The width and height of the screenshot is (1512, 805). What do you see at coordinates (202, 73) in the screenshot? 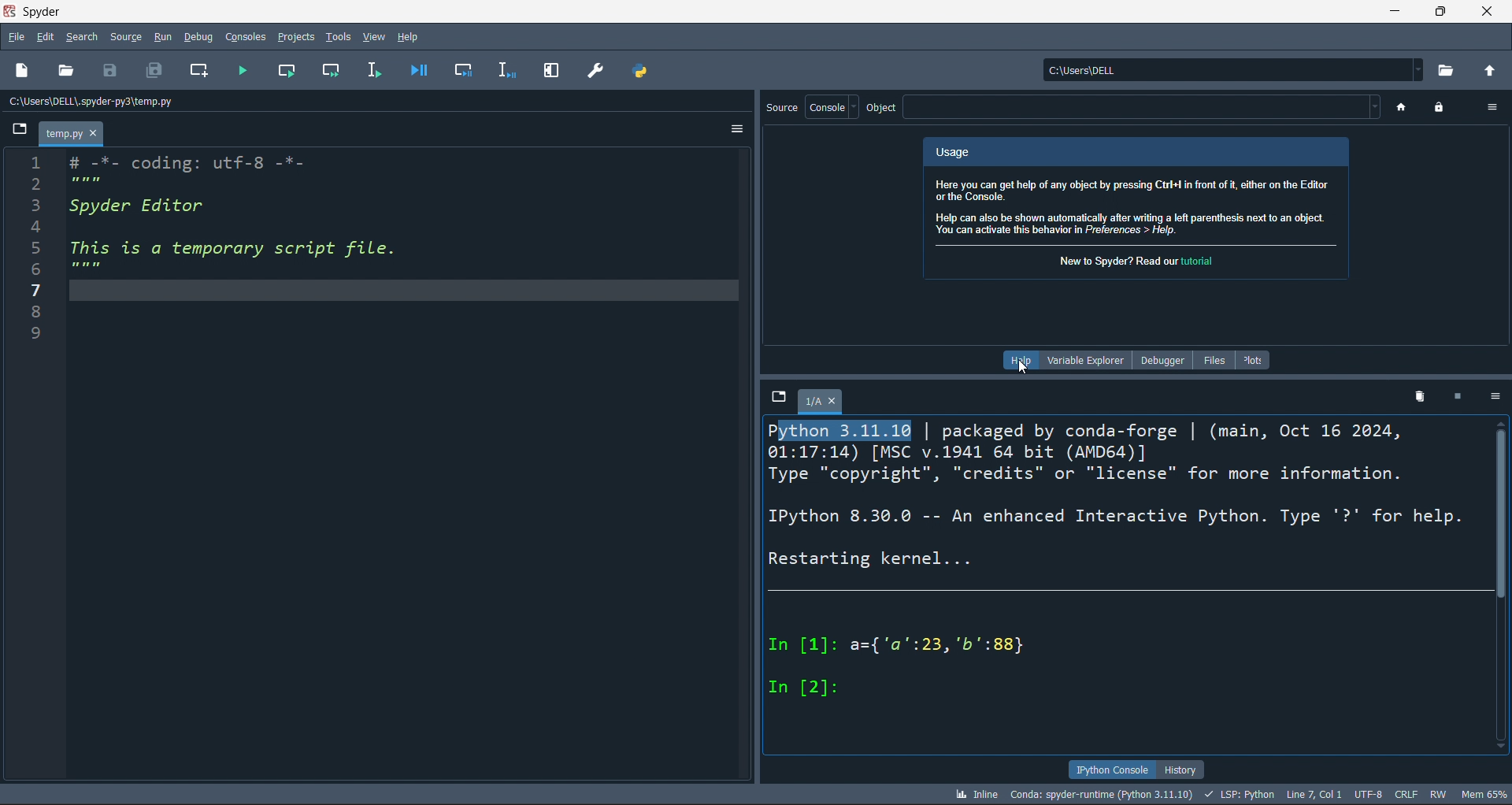
I see `new cell` at bounding box center [202, 73].